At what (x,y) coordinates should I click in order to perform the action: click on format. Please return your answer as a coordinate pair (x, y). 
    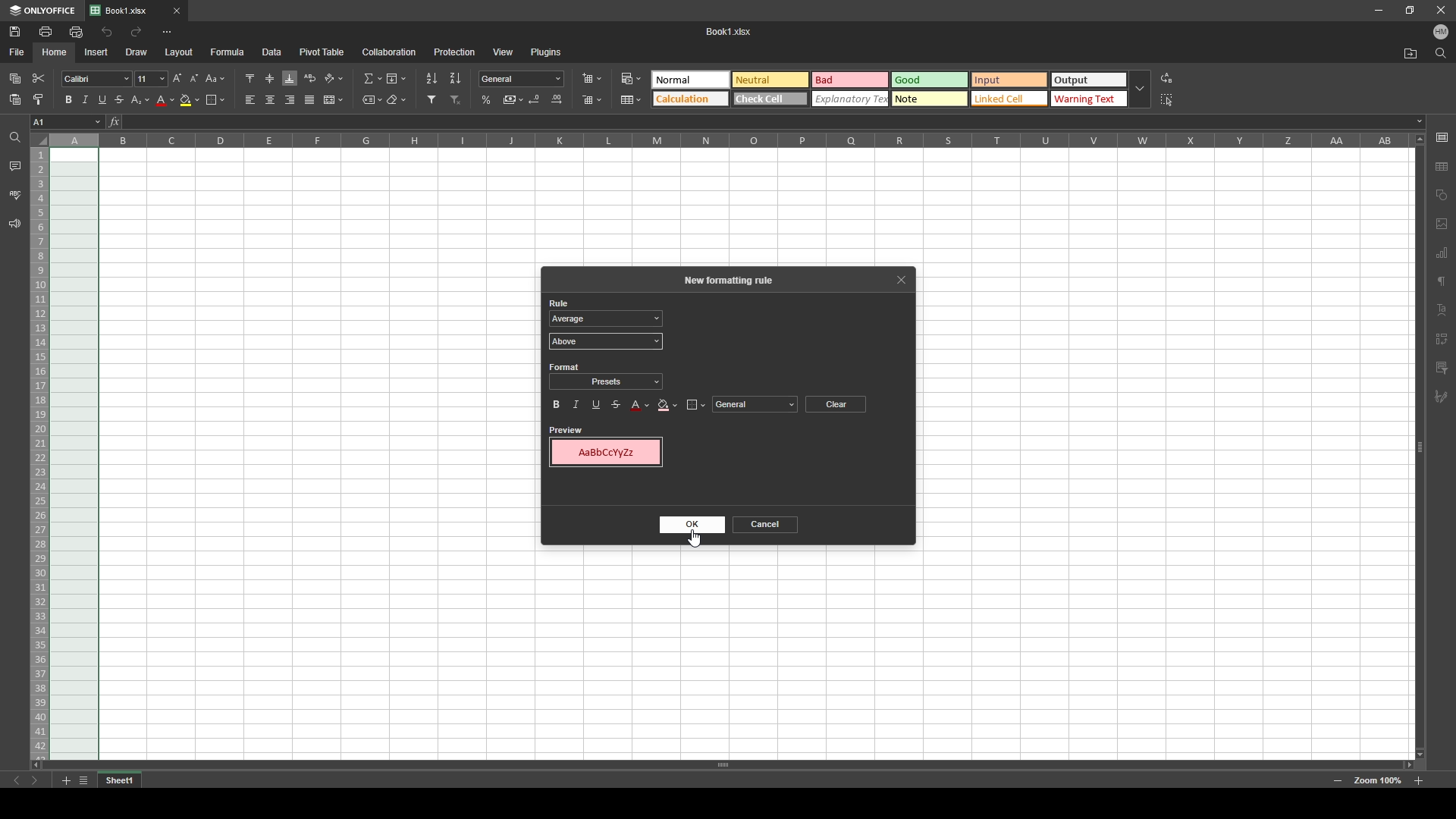
    Looking at the image, I should click on (565, 366).